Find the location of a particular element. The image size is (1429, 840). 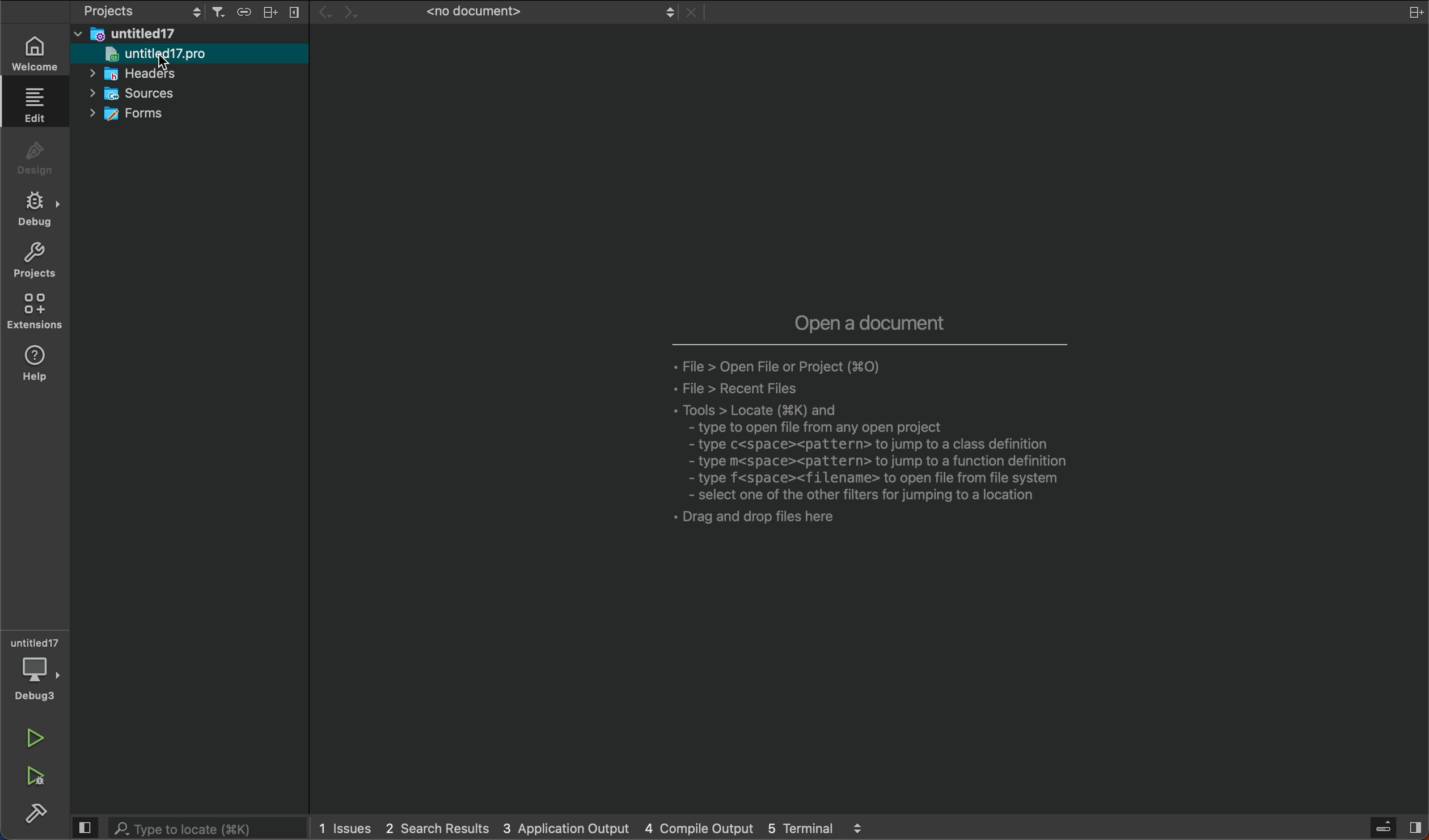

design is located at coordinates (40, 156).